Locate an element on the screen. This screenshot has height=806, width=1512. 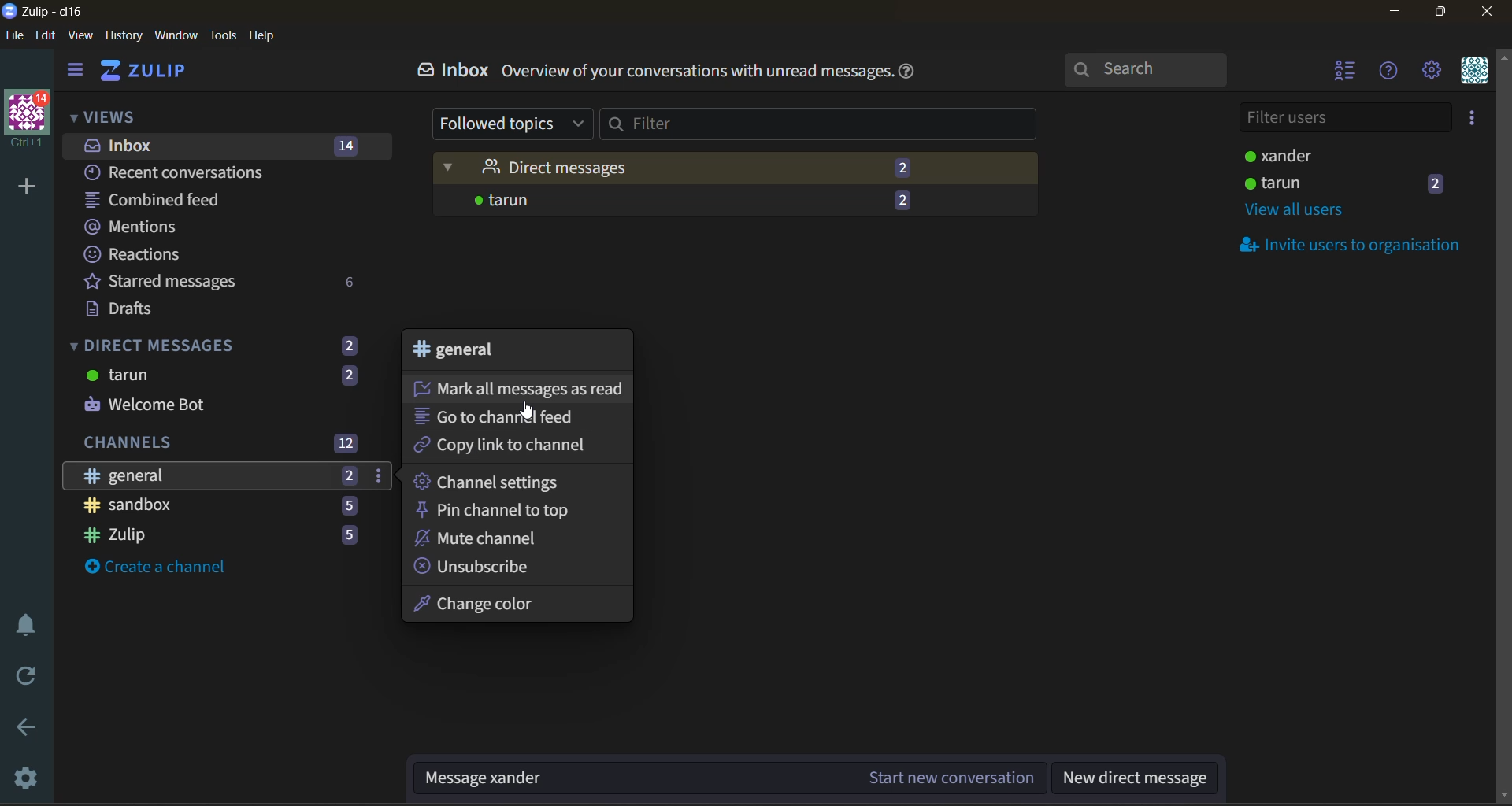
starred messages 6 is located at coordinates (227, 283).